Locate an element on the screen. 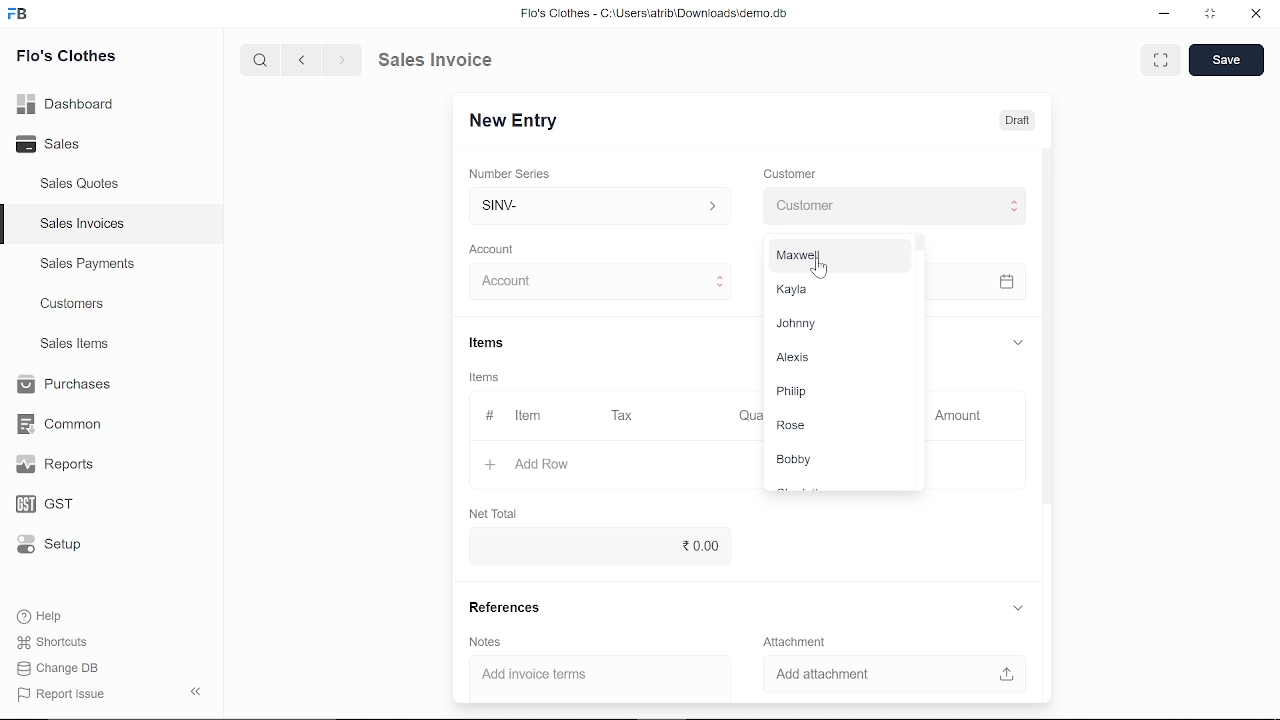 The height and width of the screenshot is (720, 1280). cursor is located at coordinates (819, 270).